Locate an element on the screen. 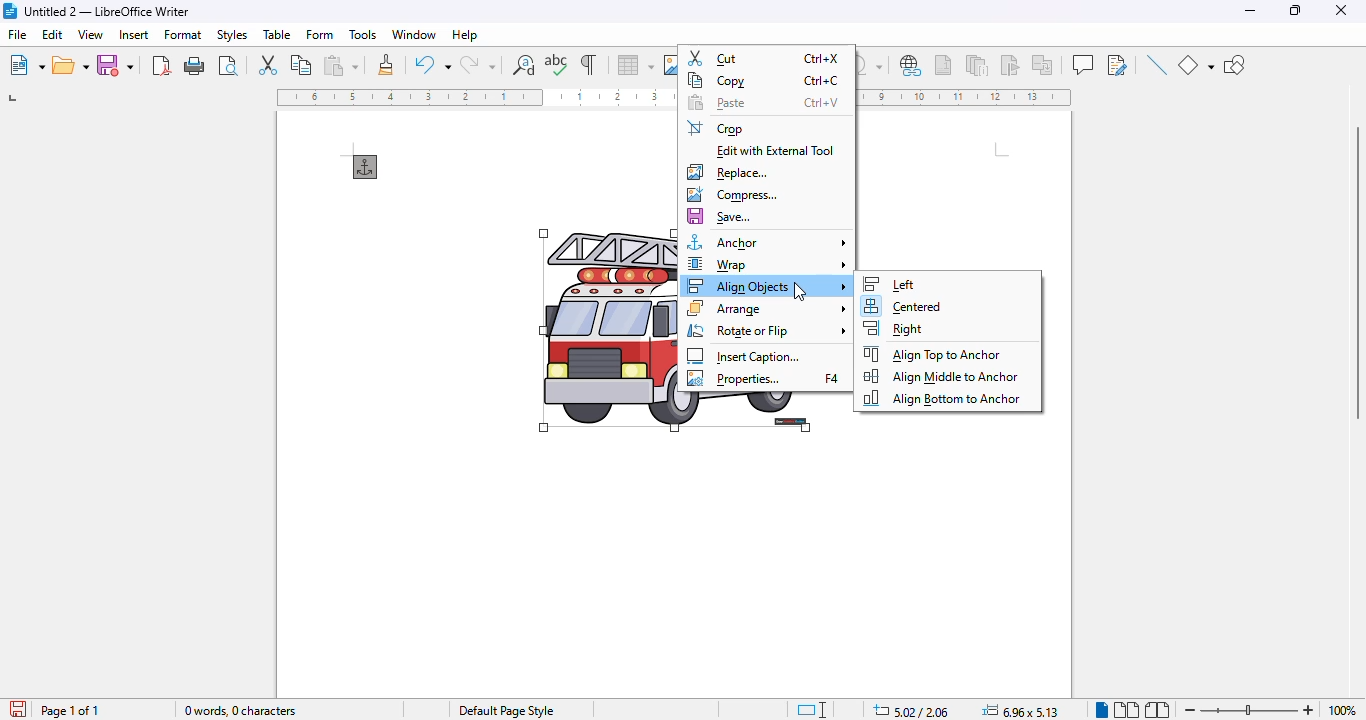 The width and height of the screenshot is (1366, 720). align objects is located at coordinates (768, 285).